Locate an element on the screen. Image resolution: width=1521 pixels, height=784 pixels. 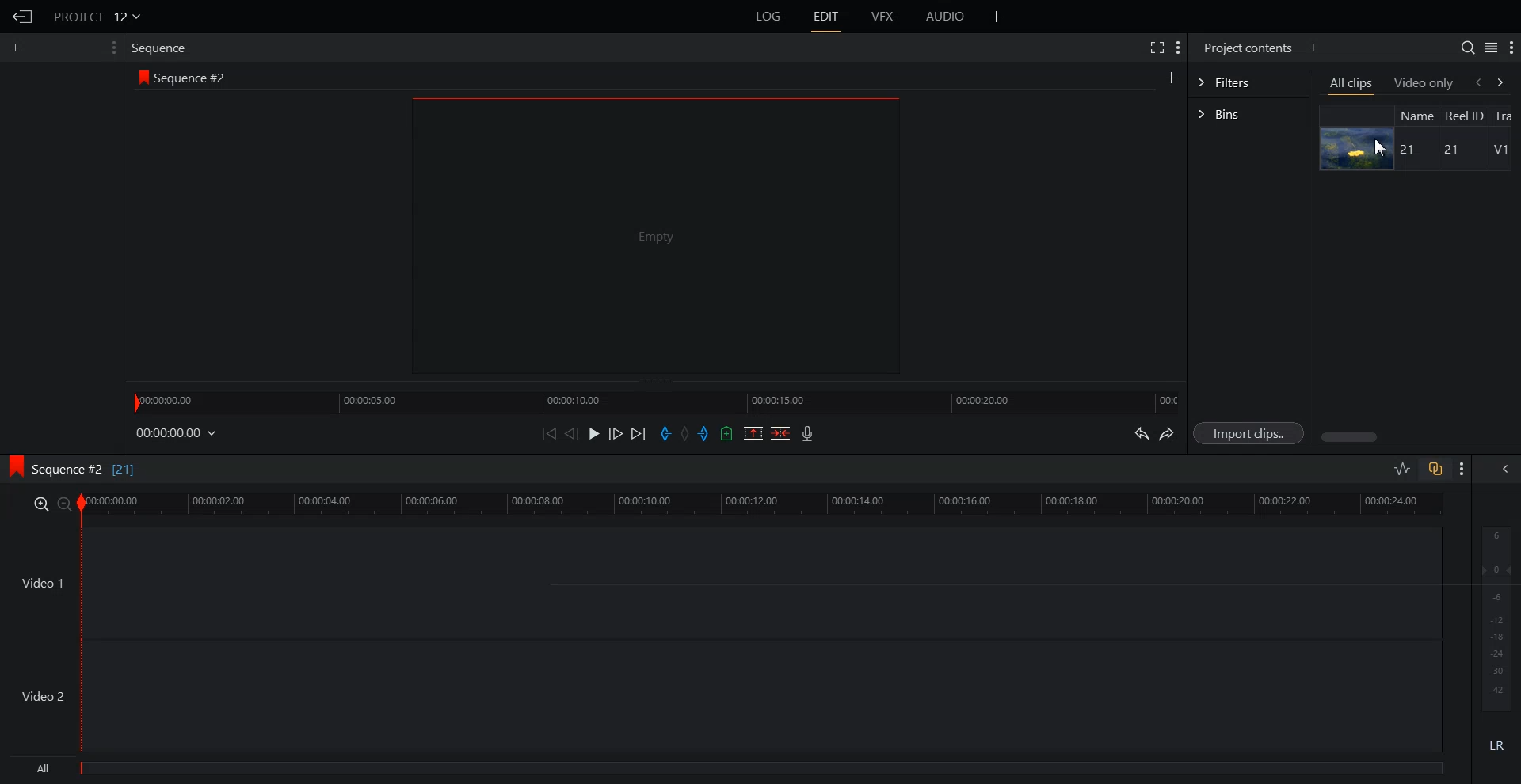
Add Panel is located at coordinates (1313, 48).